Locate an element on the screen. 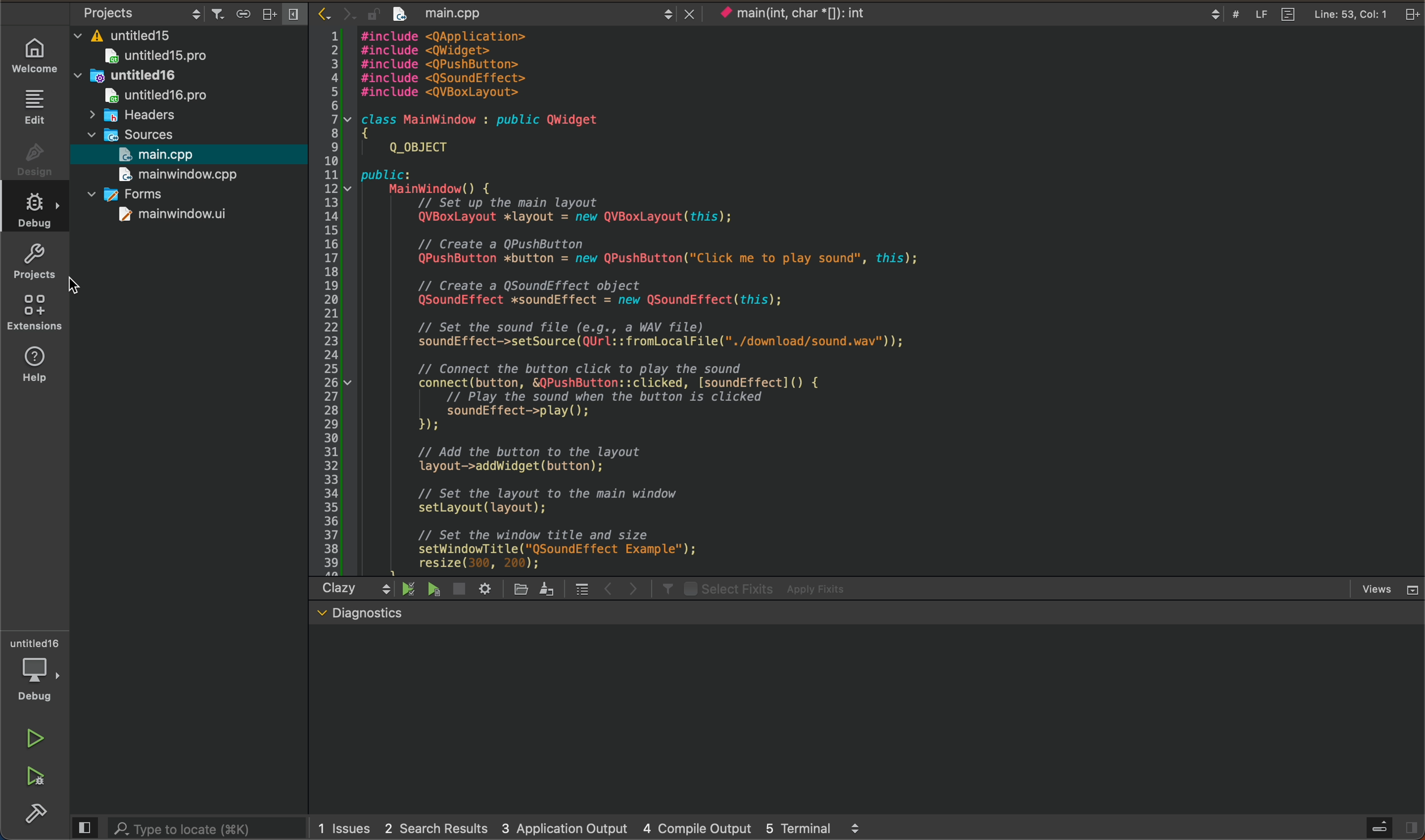  build is located at coordinates (40, 816).